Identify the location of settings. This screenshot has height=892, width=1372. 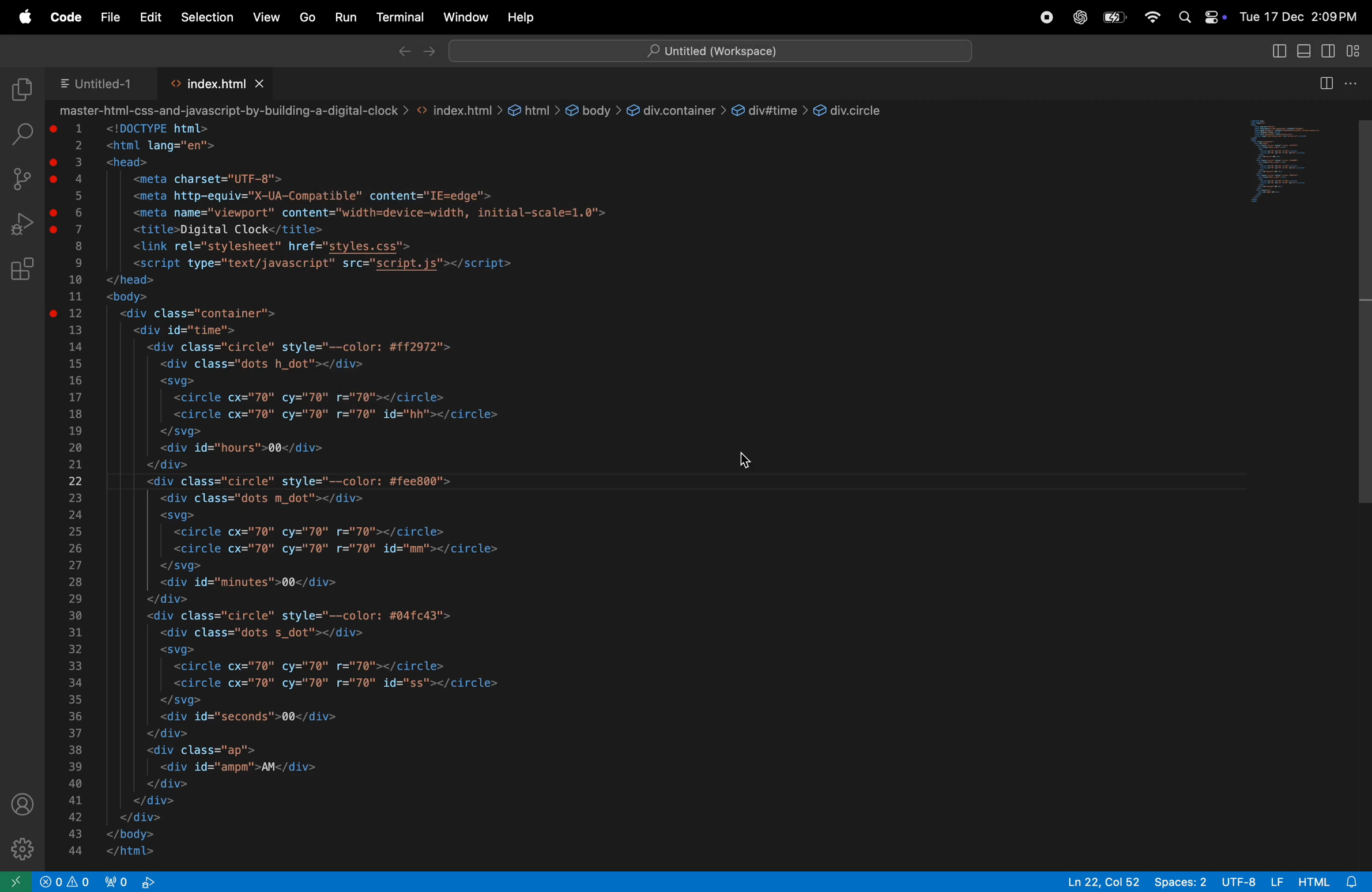
(20, 844).